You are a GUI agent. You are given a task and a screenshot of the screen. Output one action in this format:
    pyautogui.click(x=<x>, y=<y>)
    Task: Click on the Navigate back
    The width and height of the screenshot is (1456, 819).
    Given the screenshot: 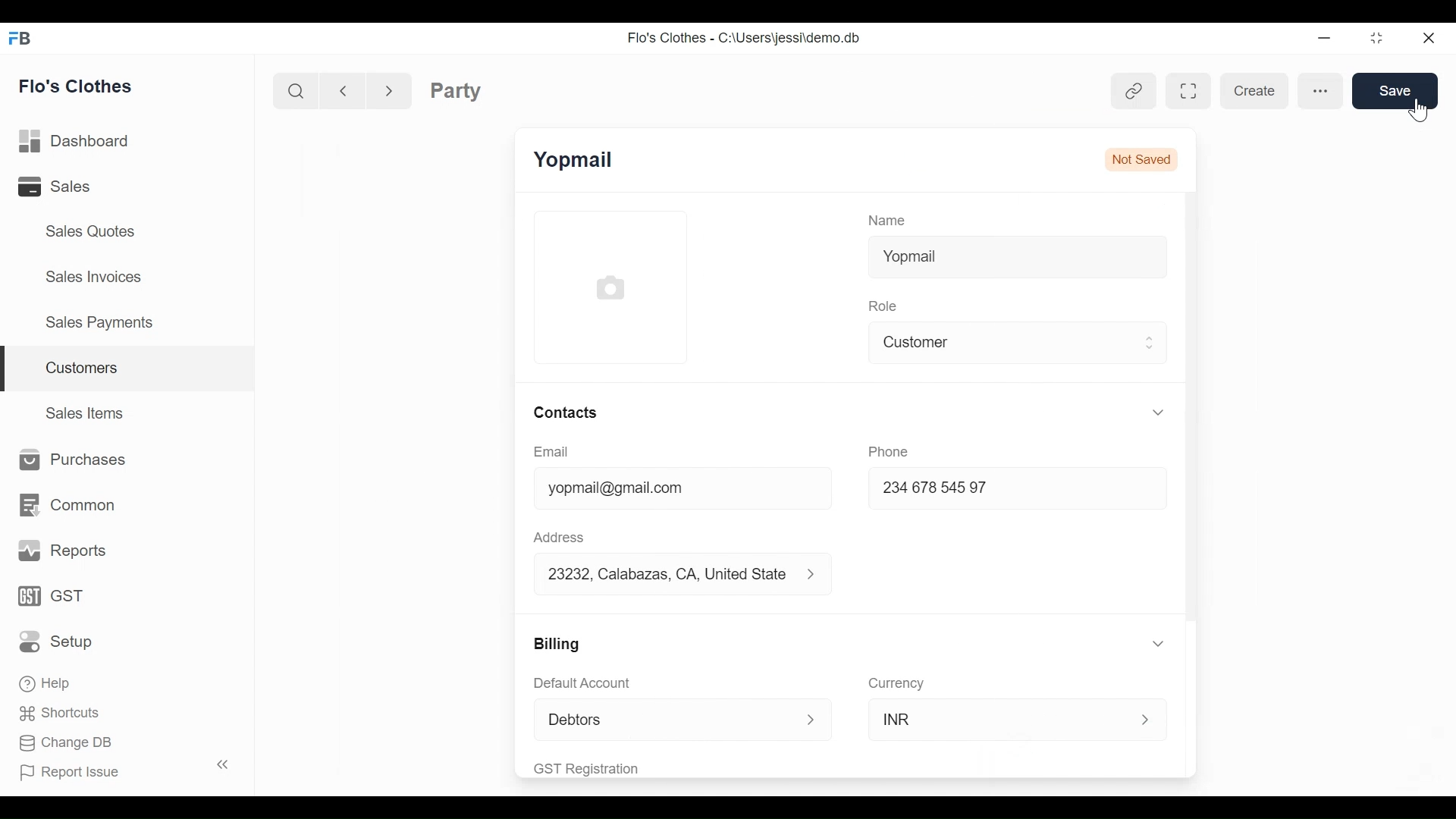 What is the action you would take?
    pyautogui.click(x=341, y=89)
    